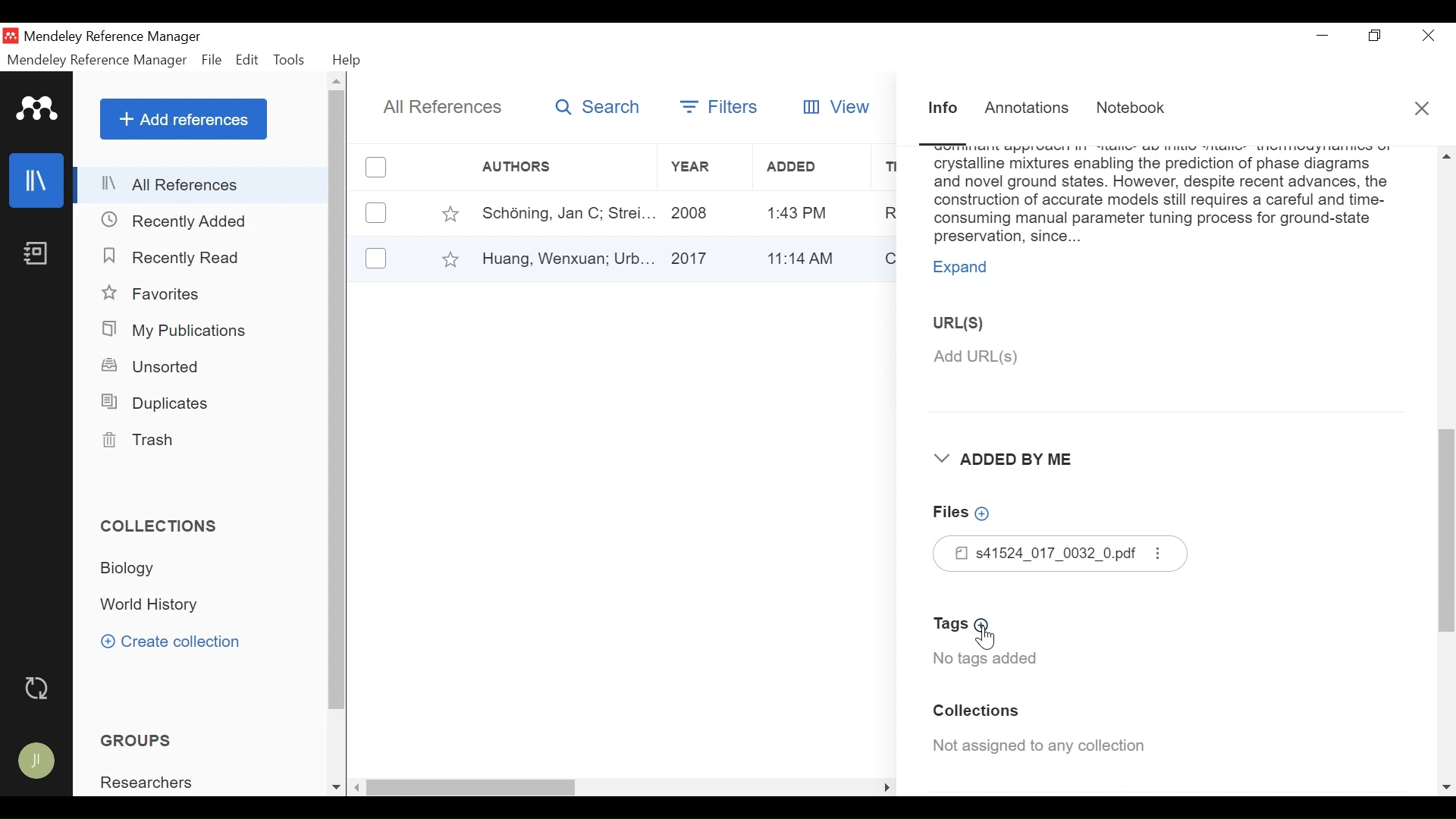  I want to click on Group, so click(152, 783).